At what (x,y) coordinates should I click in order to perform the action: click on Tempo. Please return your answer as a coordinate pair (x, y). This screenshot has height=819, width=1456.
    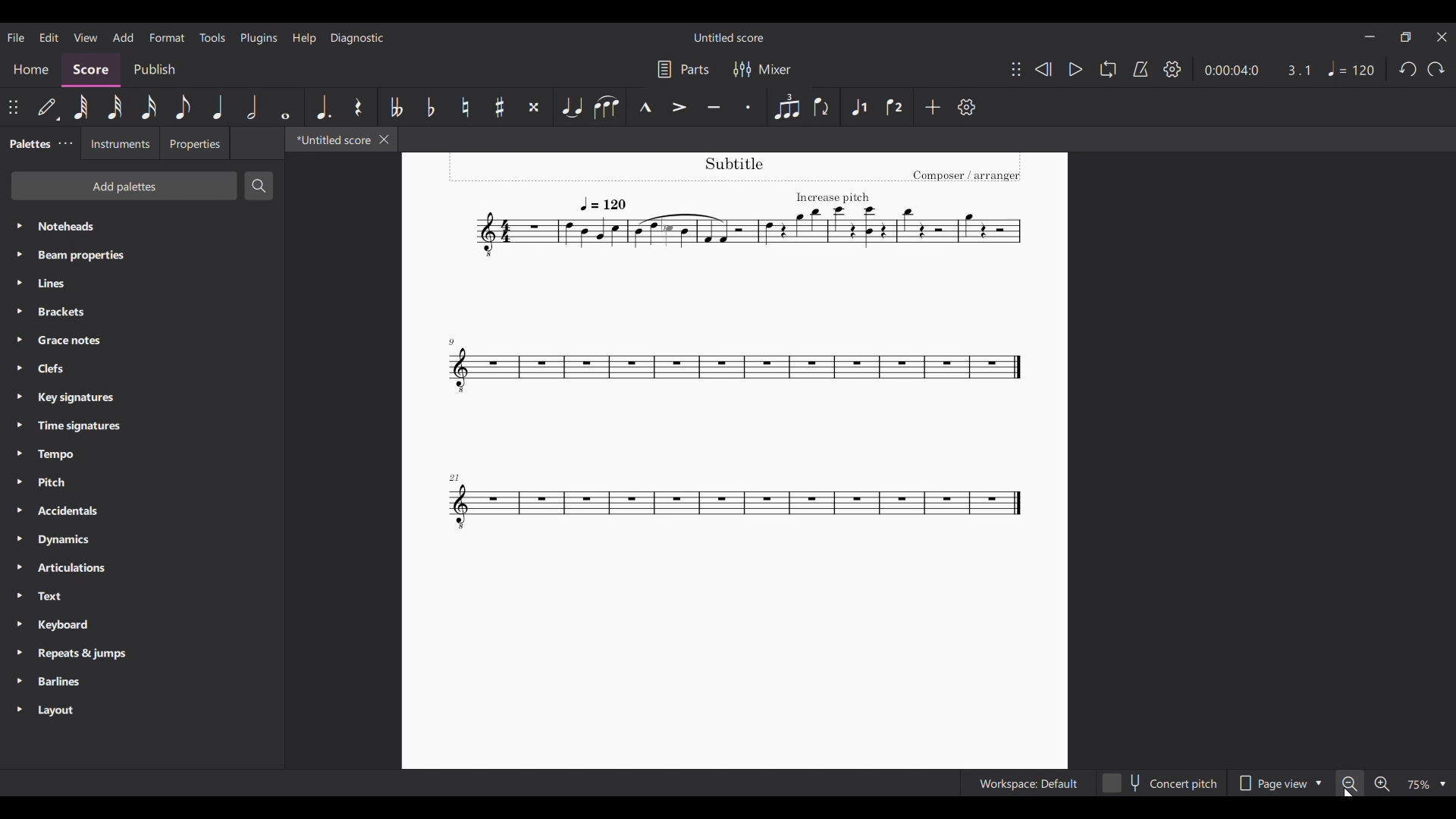
    Looking at the image, I should click on (142, 454).